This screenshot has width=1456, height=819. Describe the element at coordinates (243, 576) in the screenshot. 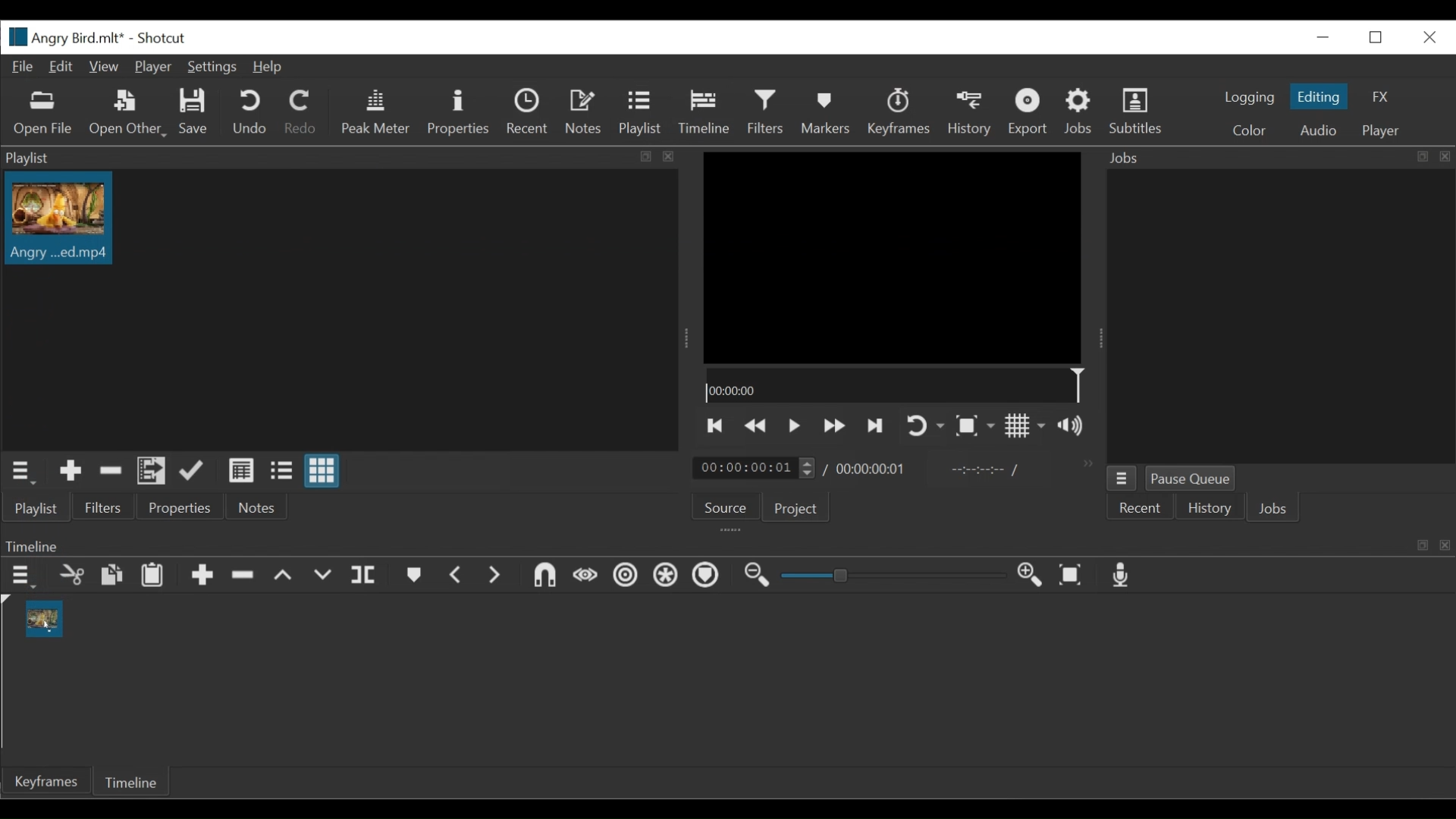

I see `Ripple Delete` at that location.